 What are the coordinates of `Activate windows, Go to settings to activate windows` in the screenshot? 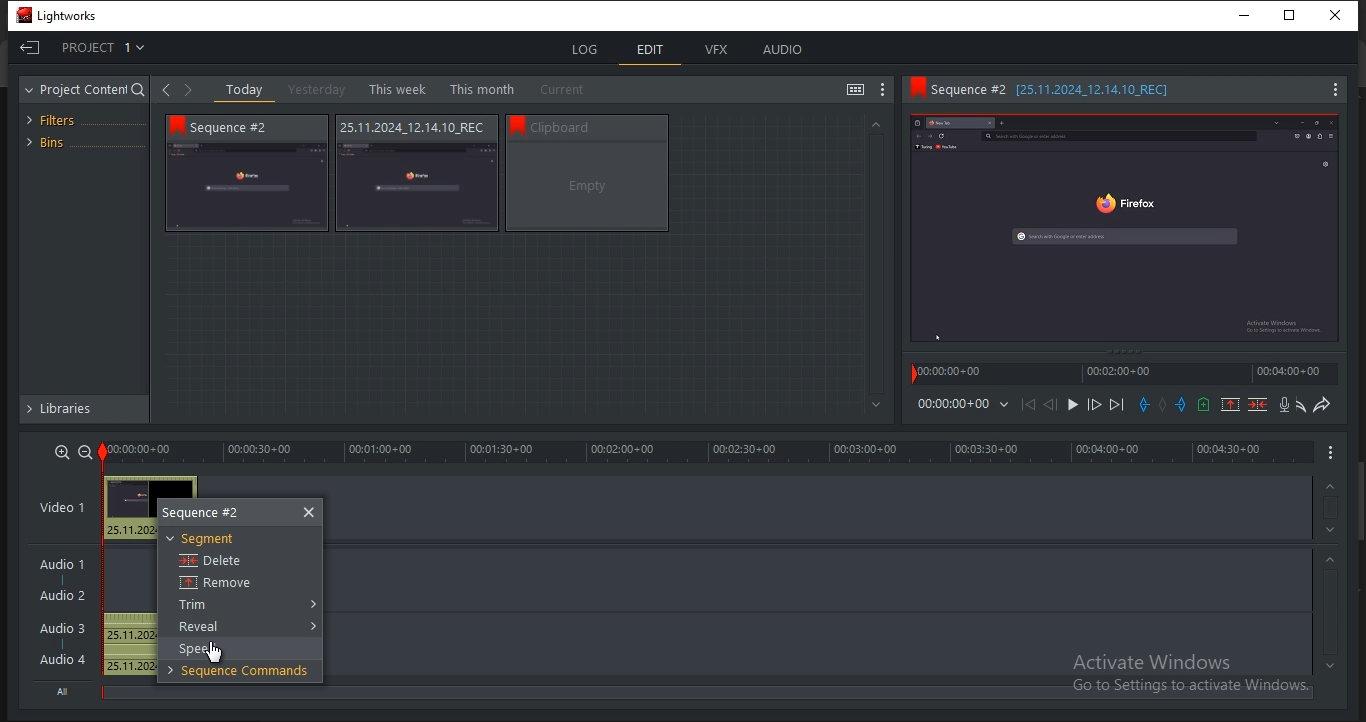 It's located at (1189, 674).